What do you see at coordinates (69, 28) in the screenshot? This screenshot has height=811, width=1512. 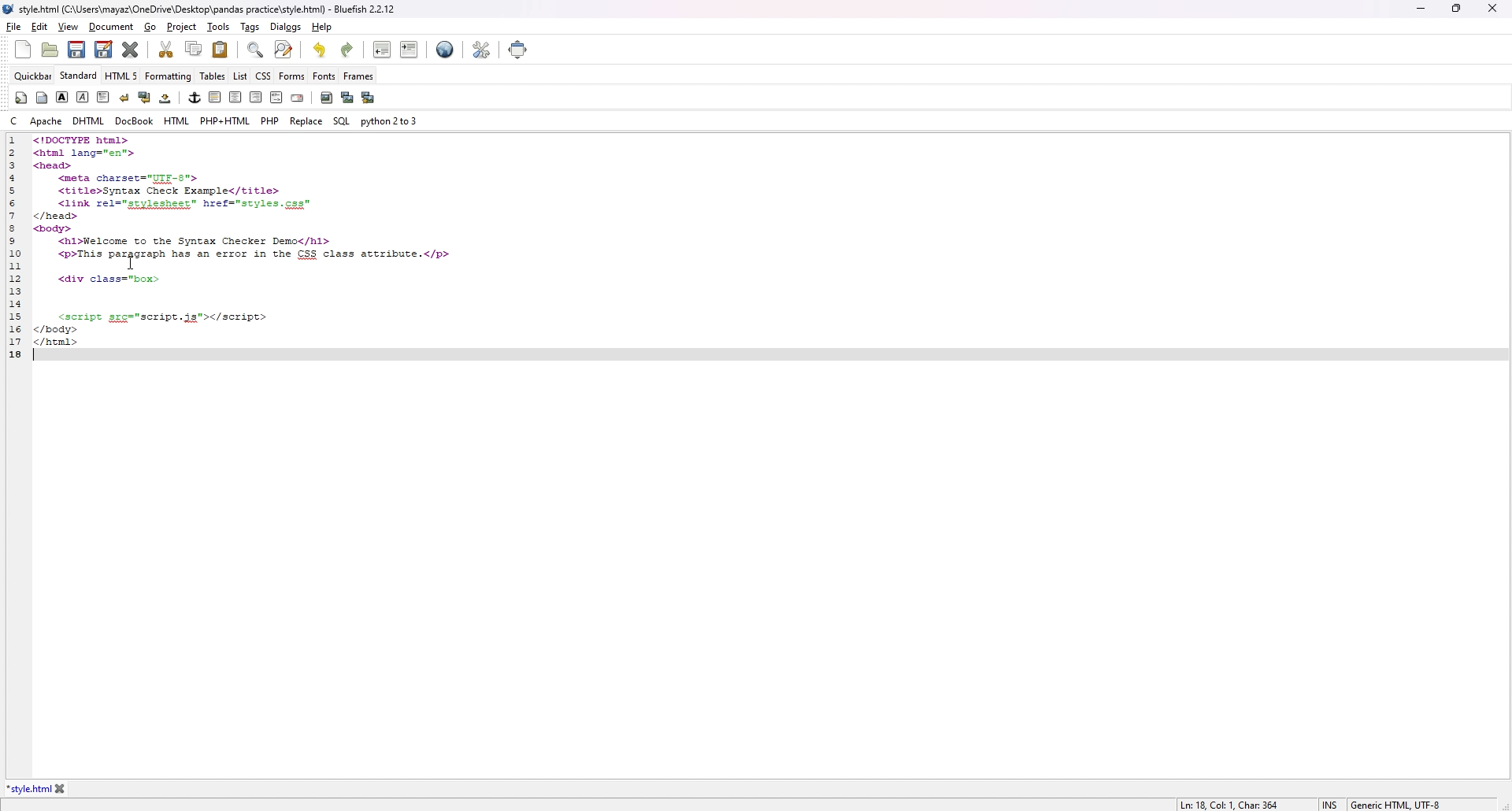 I see `view` at bounding box center [69, 28].